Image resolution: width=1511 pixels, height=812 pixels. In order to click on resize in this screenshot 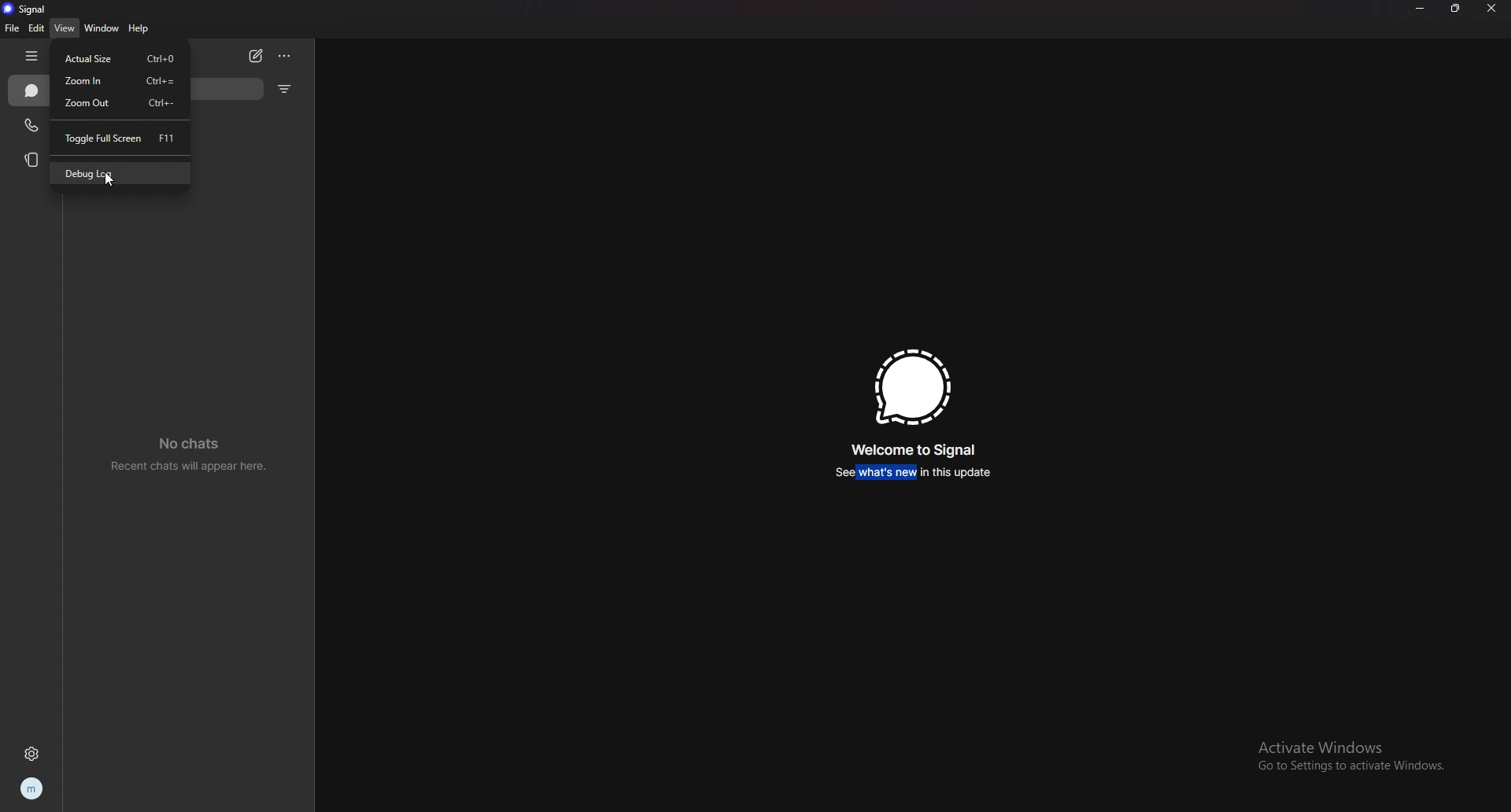, I will do `click(1455, 7)`.